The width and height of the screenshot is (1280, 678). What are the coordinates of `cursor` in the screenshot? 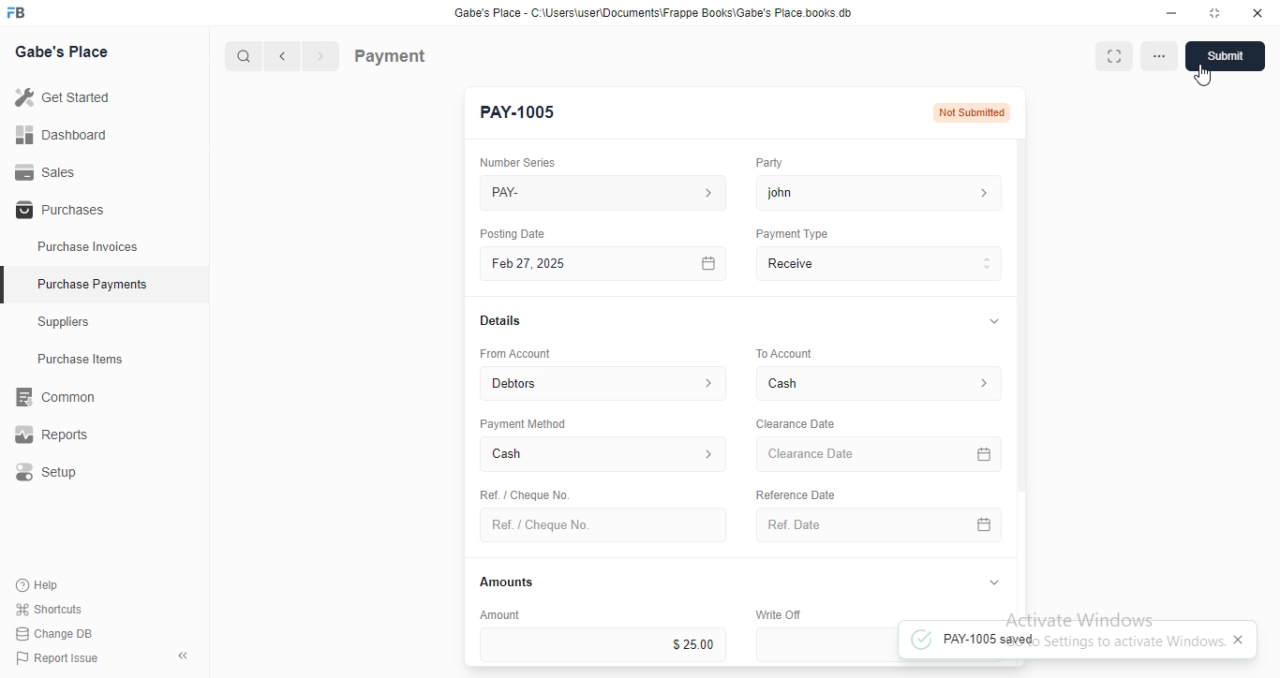 It's located at (1209, 78).